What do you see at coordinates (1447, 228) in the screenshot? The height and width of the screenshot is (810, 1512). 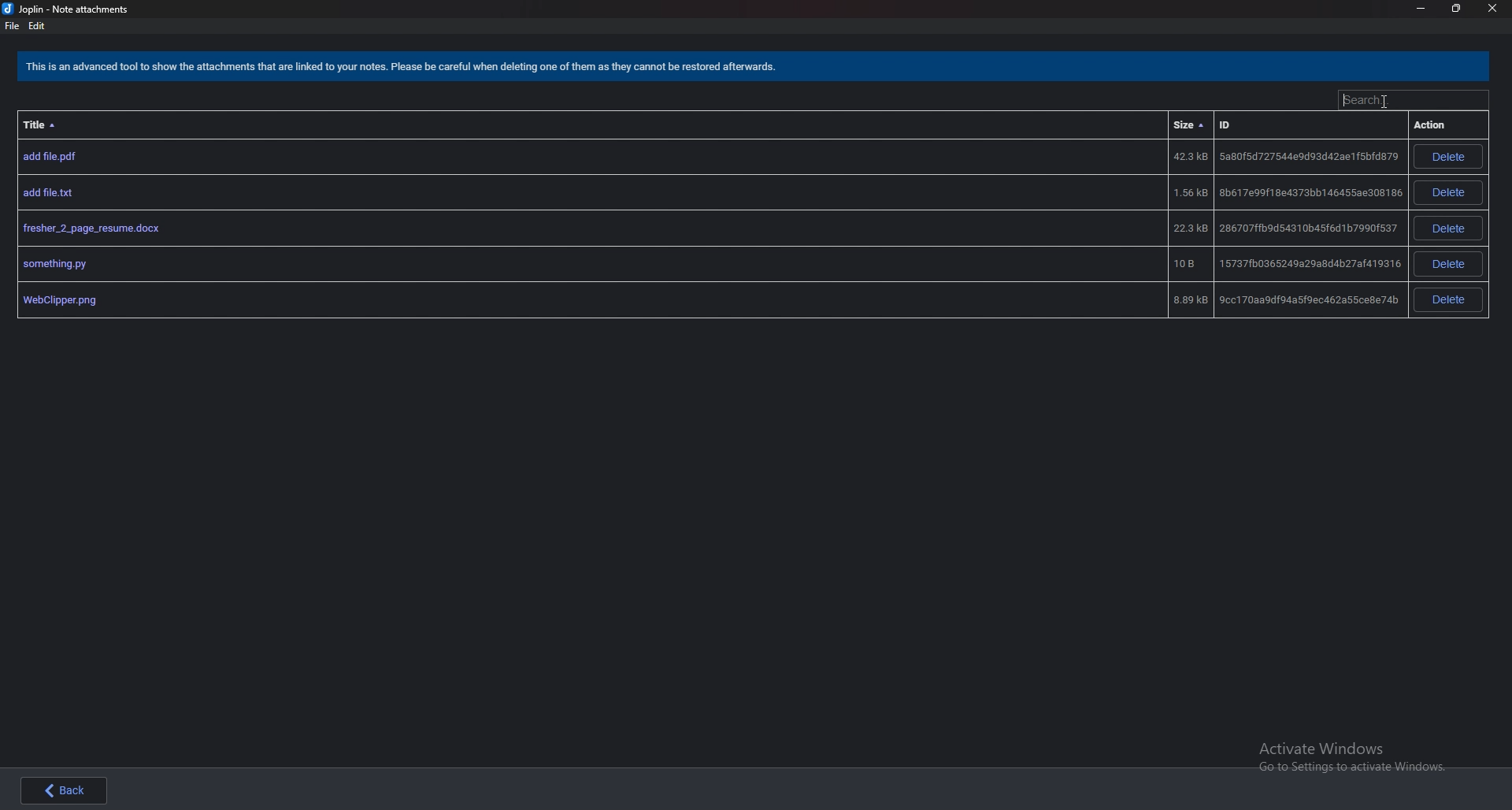 I see `delete` at bounding box center [1447, 228].